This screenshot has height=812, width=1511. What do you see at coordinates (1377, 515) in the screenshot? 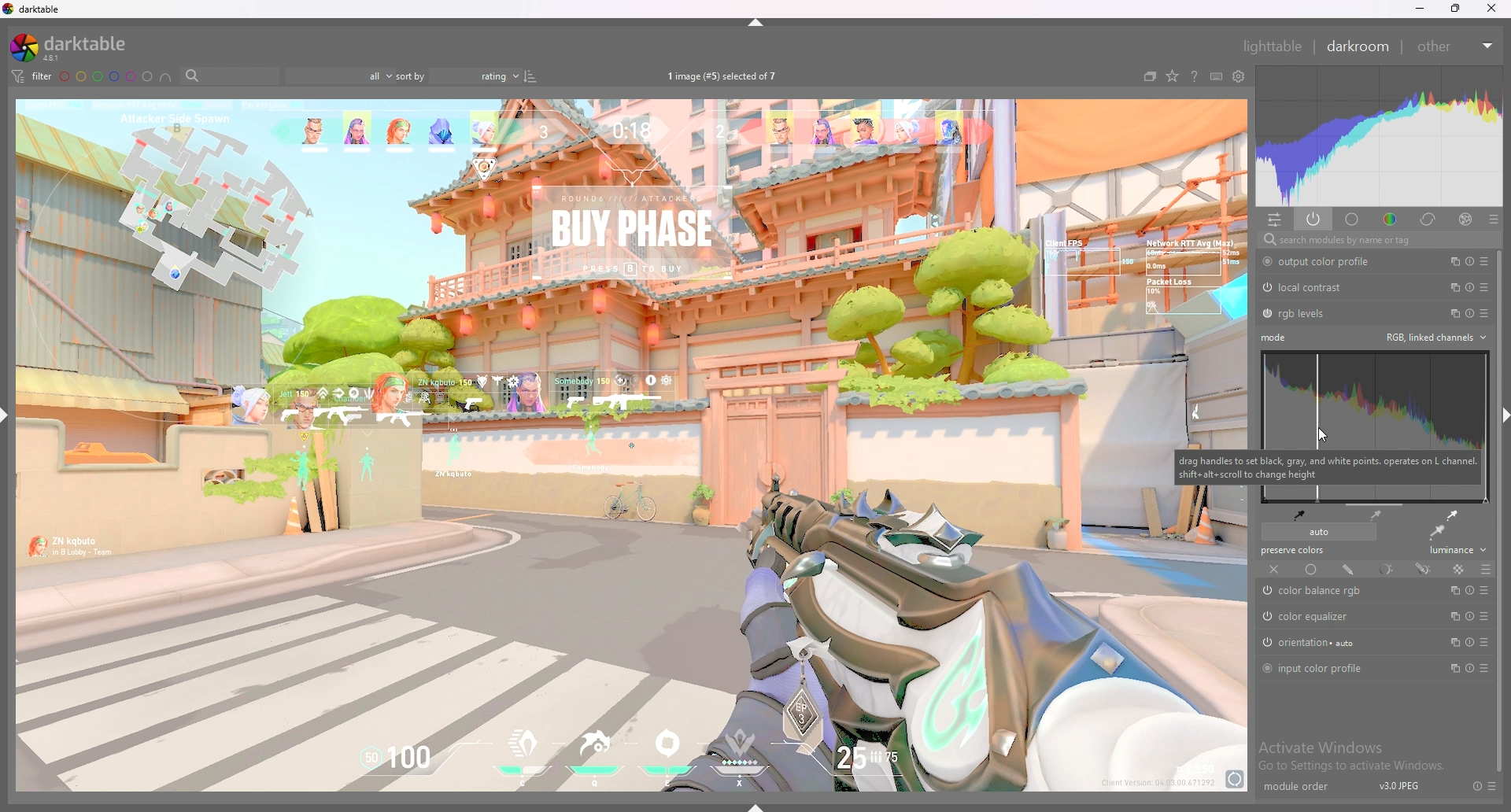
I see `medium gray points` at bounding box center [1377, 515].